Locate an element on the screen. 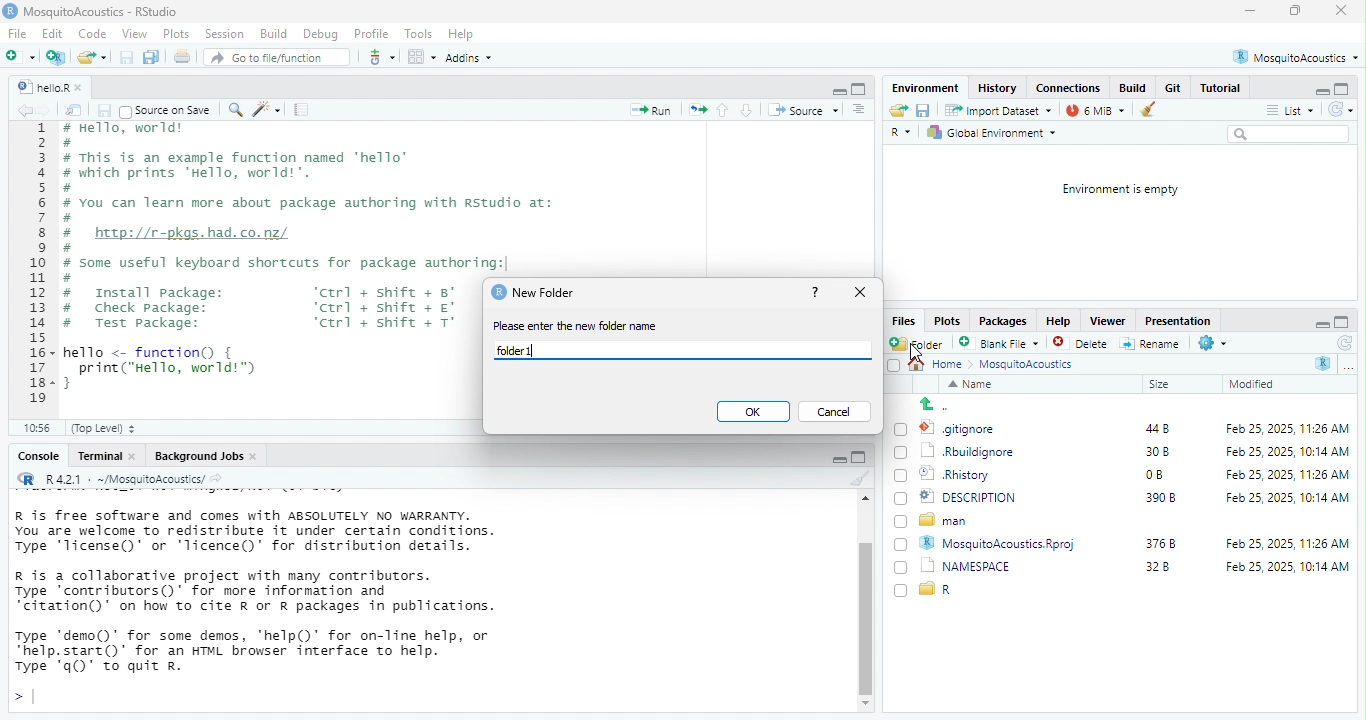 The width and height of the screenshot is (1366, 720). Session is located at coordinates (226, 35).